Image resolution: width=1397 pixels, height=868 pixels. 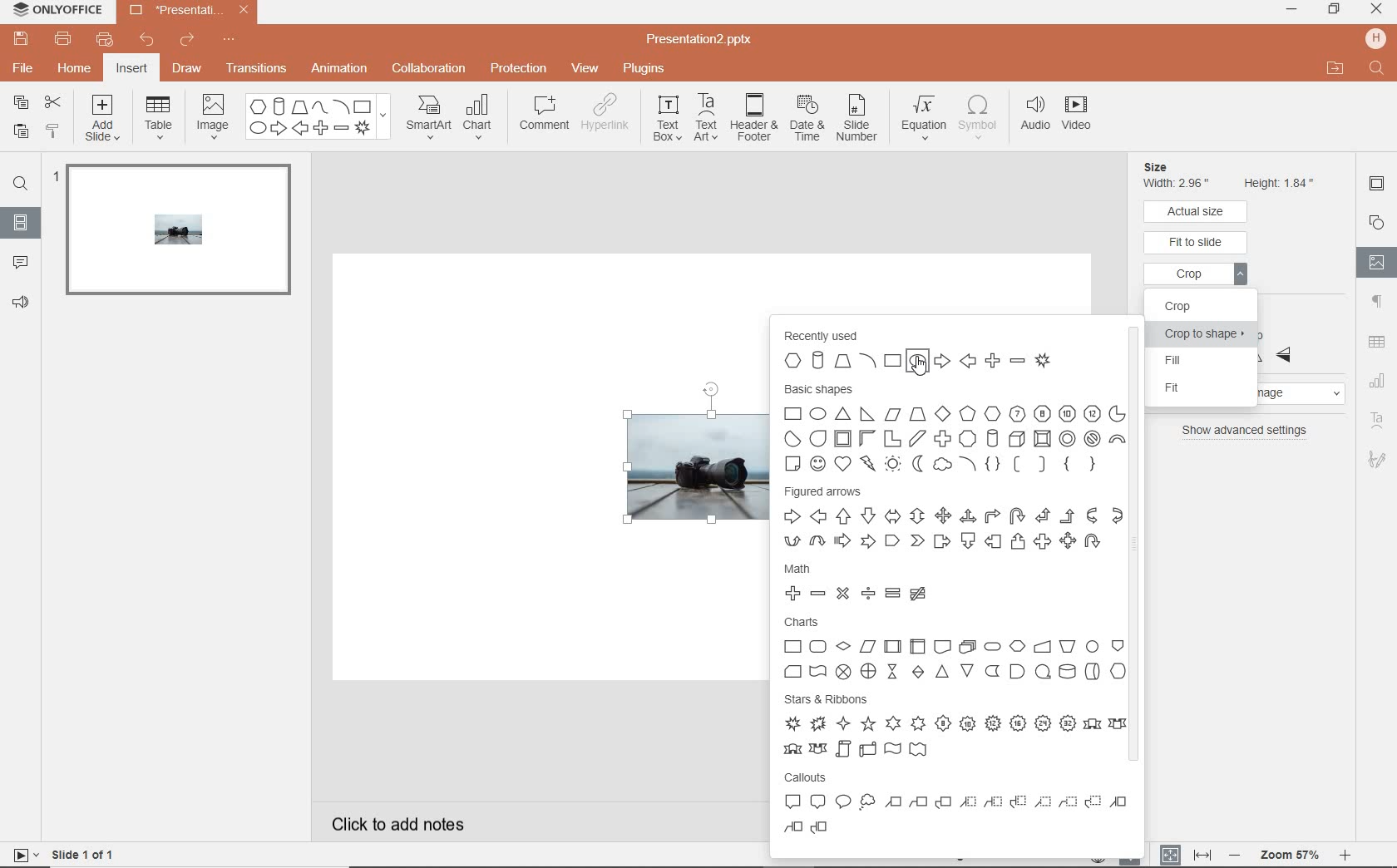 I want to click on image settings, so click(x=1377, y=262).